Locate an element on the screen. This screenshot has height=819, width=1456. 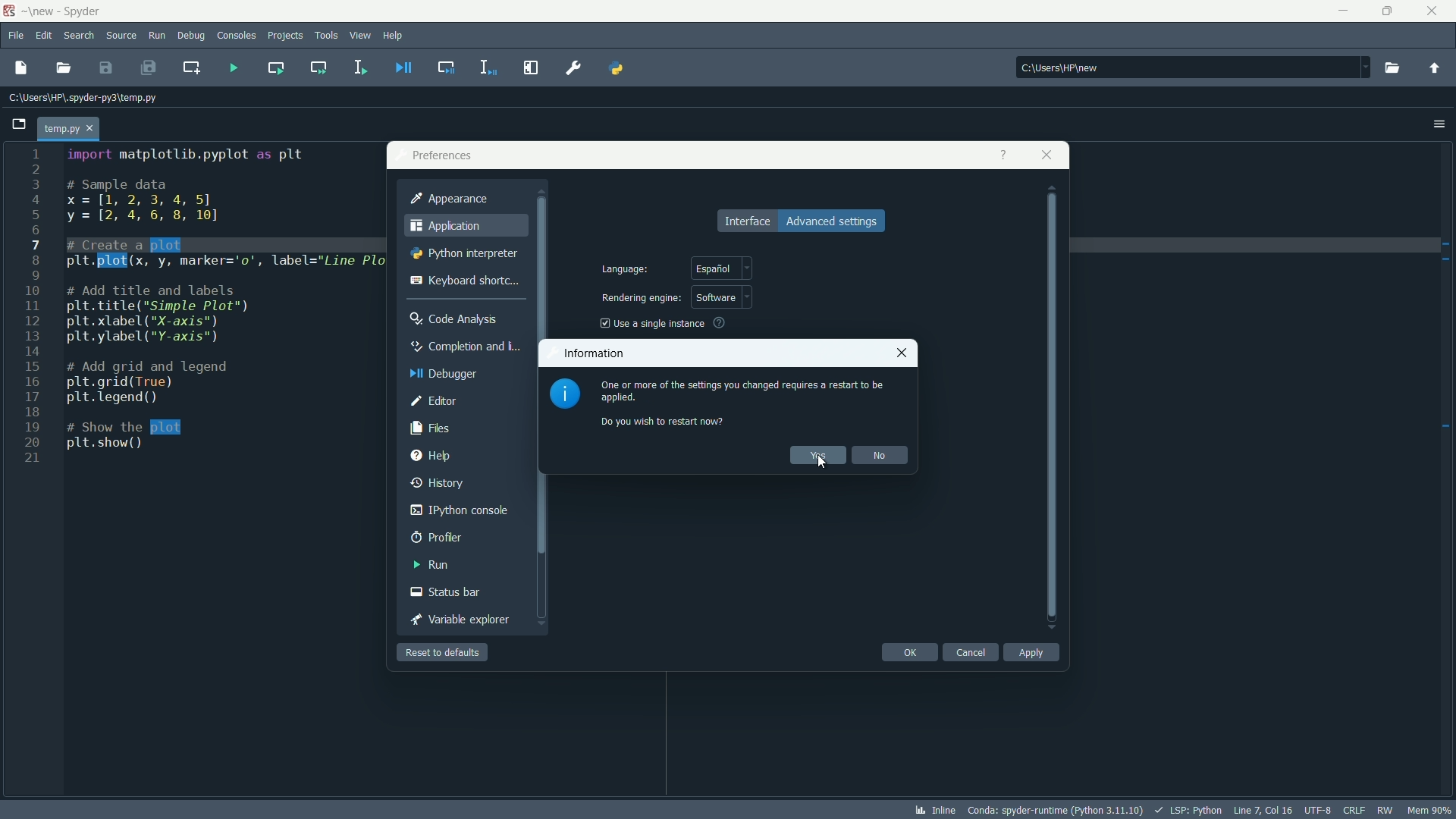
edit is located at coordinates (44, 35).